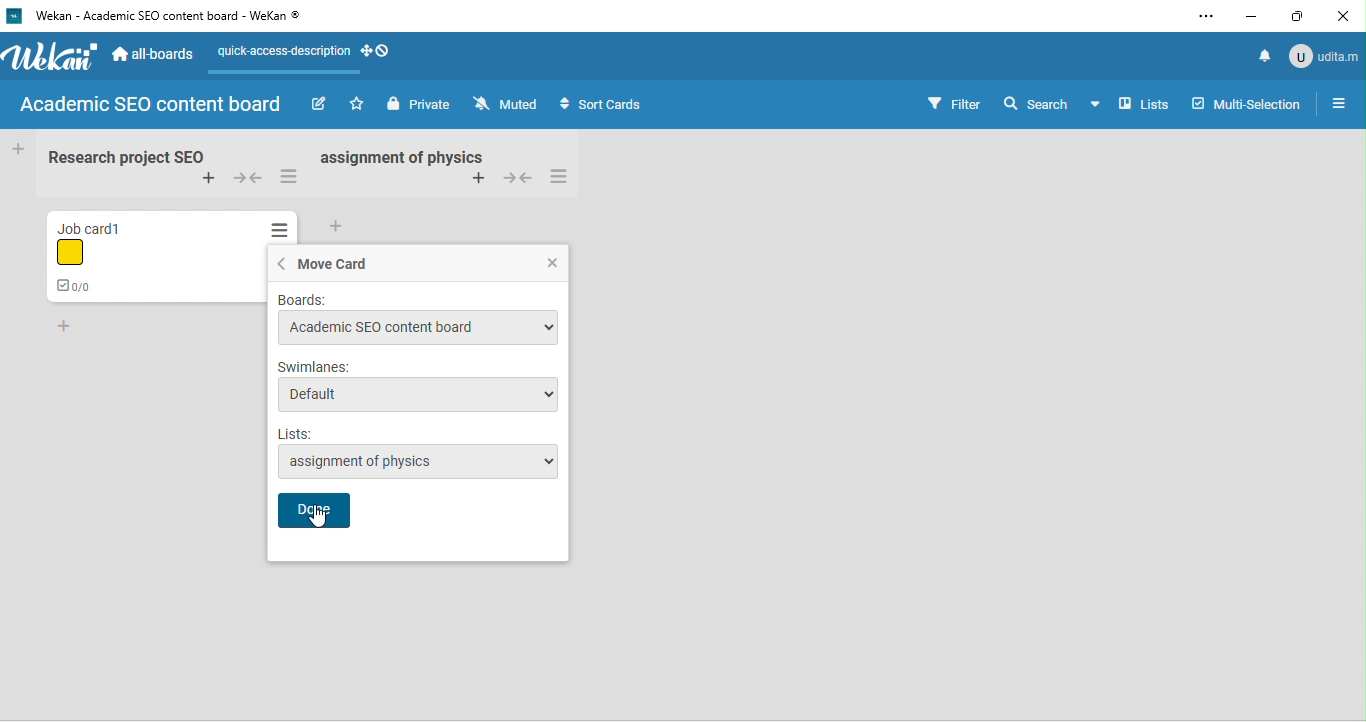  Describe the element at coordinates (1341, 103) in the screenshot. I see `open/close sidebar` at that location.